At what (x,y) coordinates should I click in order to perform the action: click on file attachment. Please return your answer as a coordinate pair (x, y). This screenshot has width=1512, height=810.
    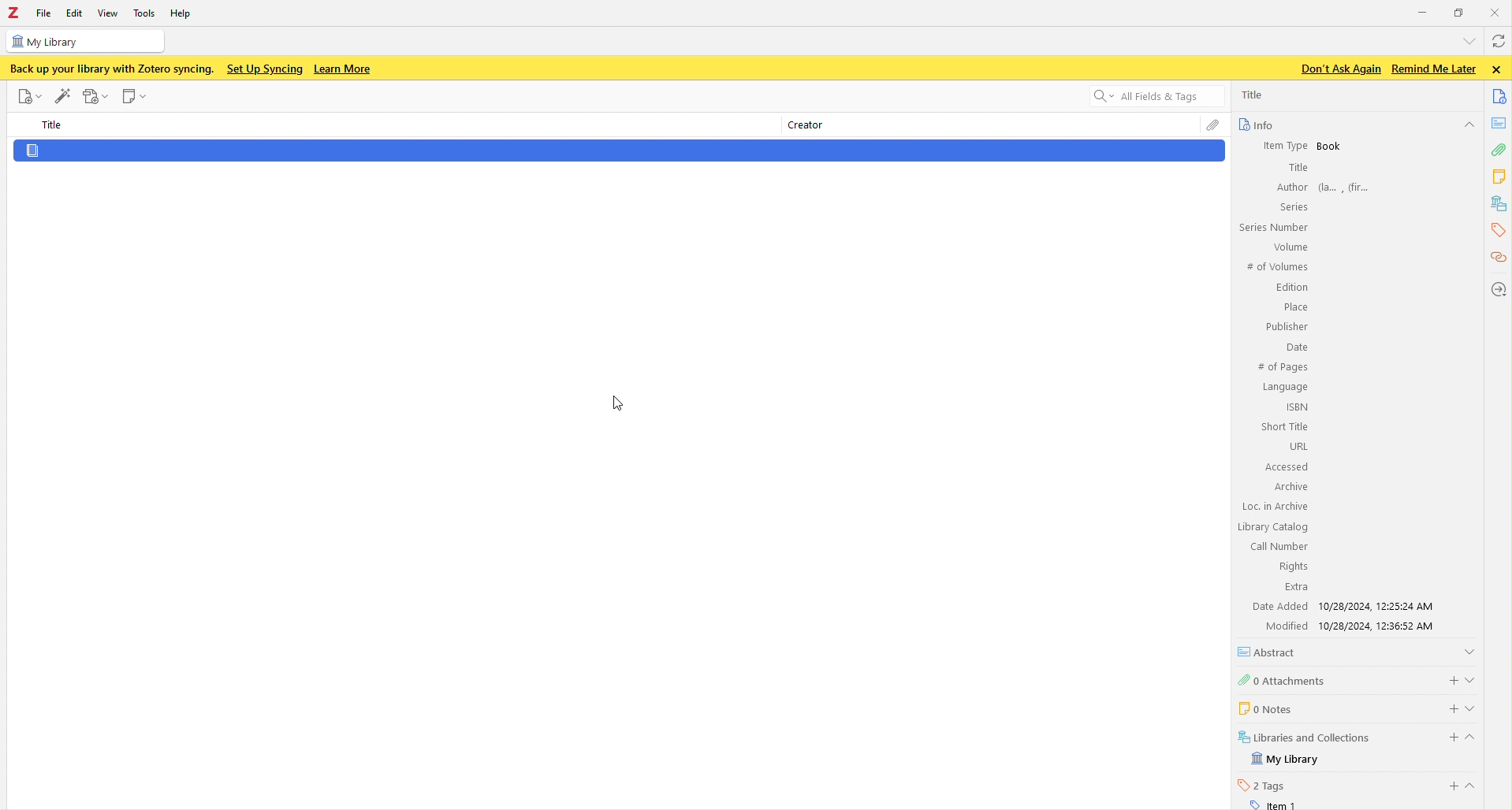
    Looking at the image, I should click on (1212, 127).